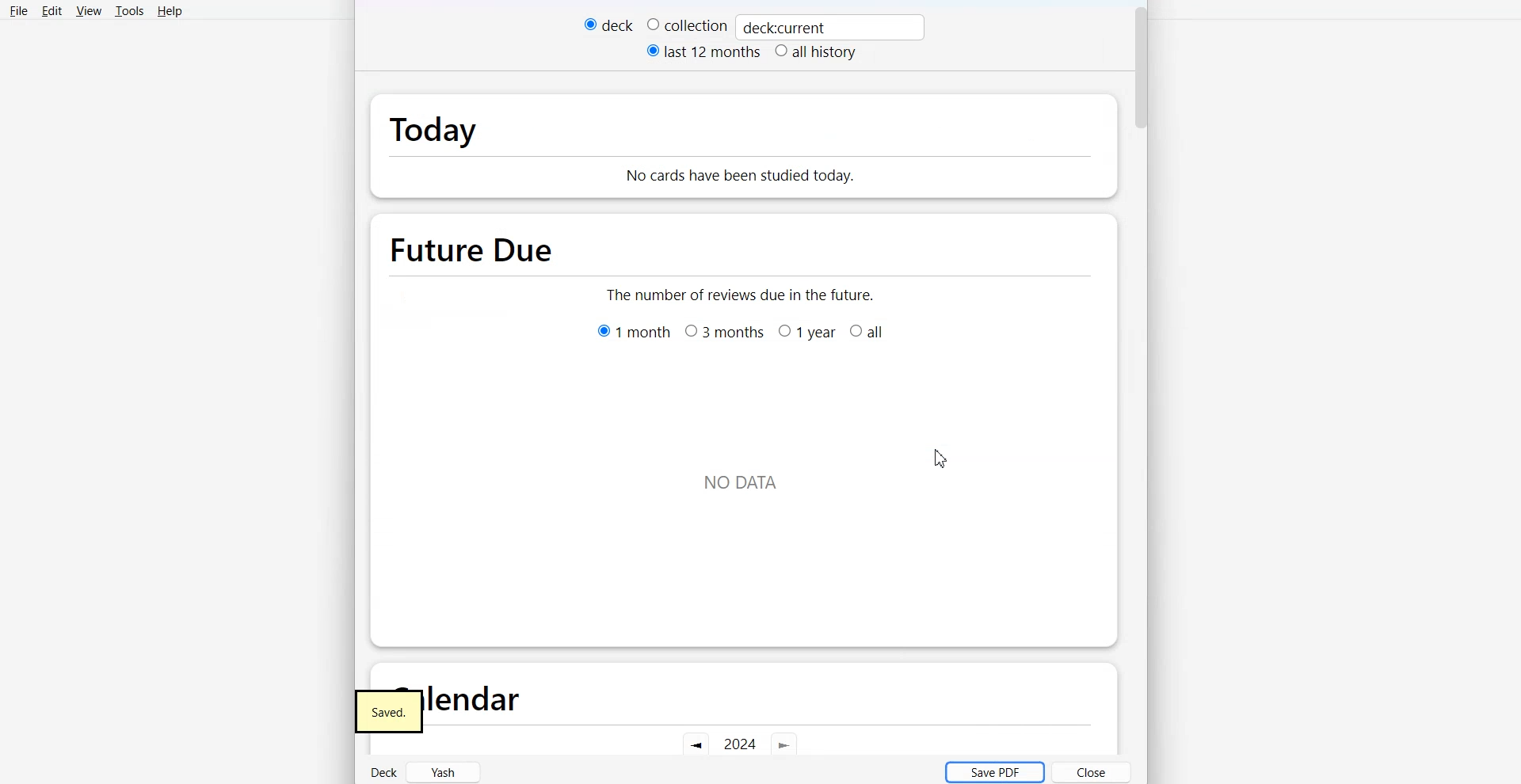 Image resolution: width=1521 pixels, height=784 pixels. Describe the element at coordinates (815, 53) in the screenshot. I see `All History` at that location.